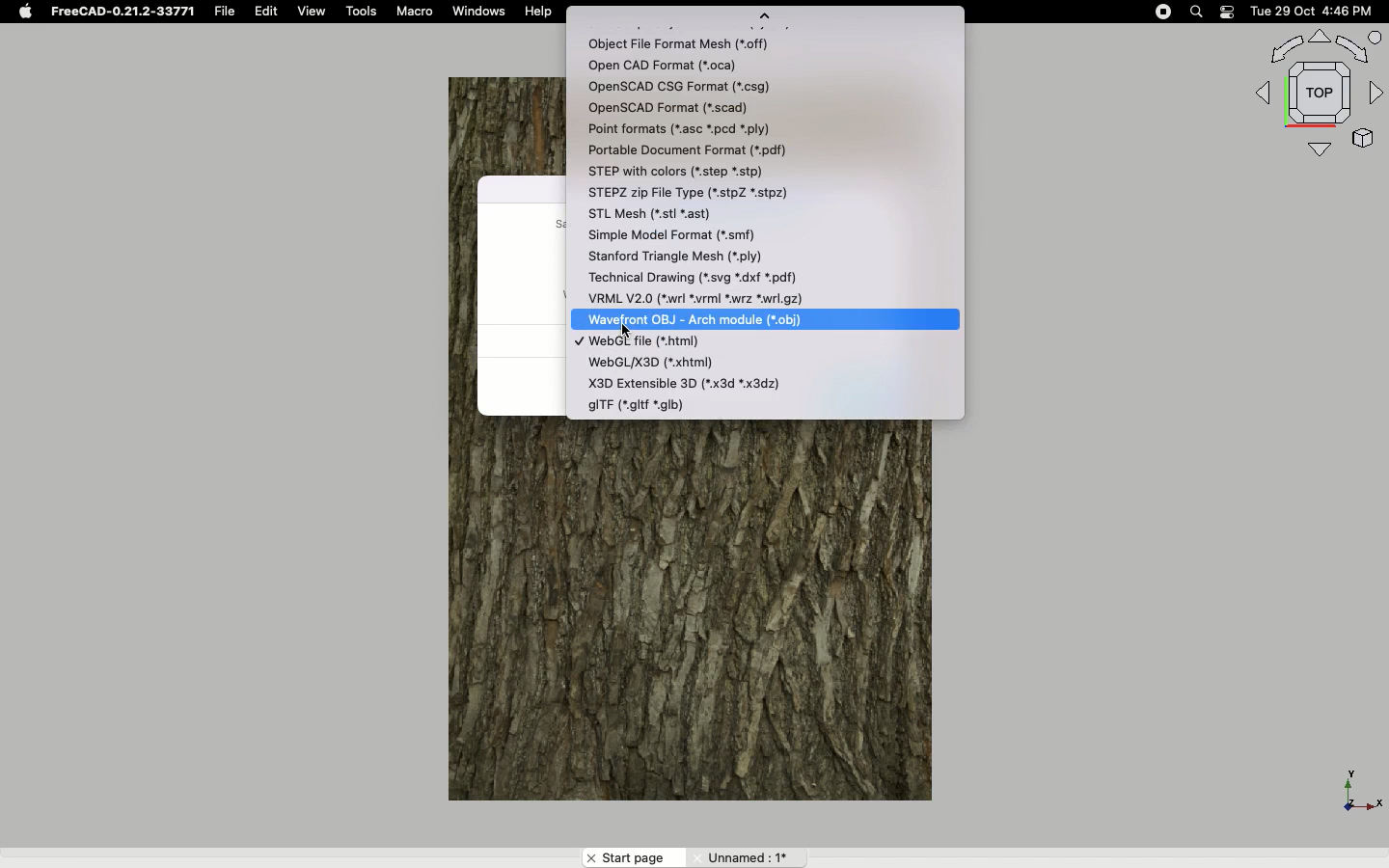 Image resolution: width=1389 pixels, height=868 pixels. I want to click on Windows, so click(484, 13).